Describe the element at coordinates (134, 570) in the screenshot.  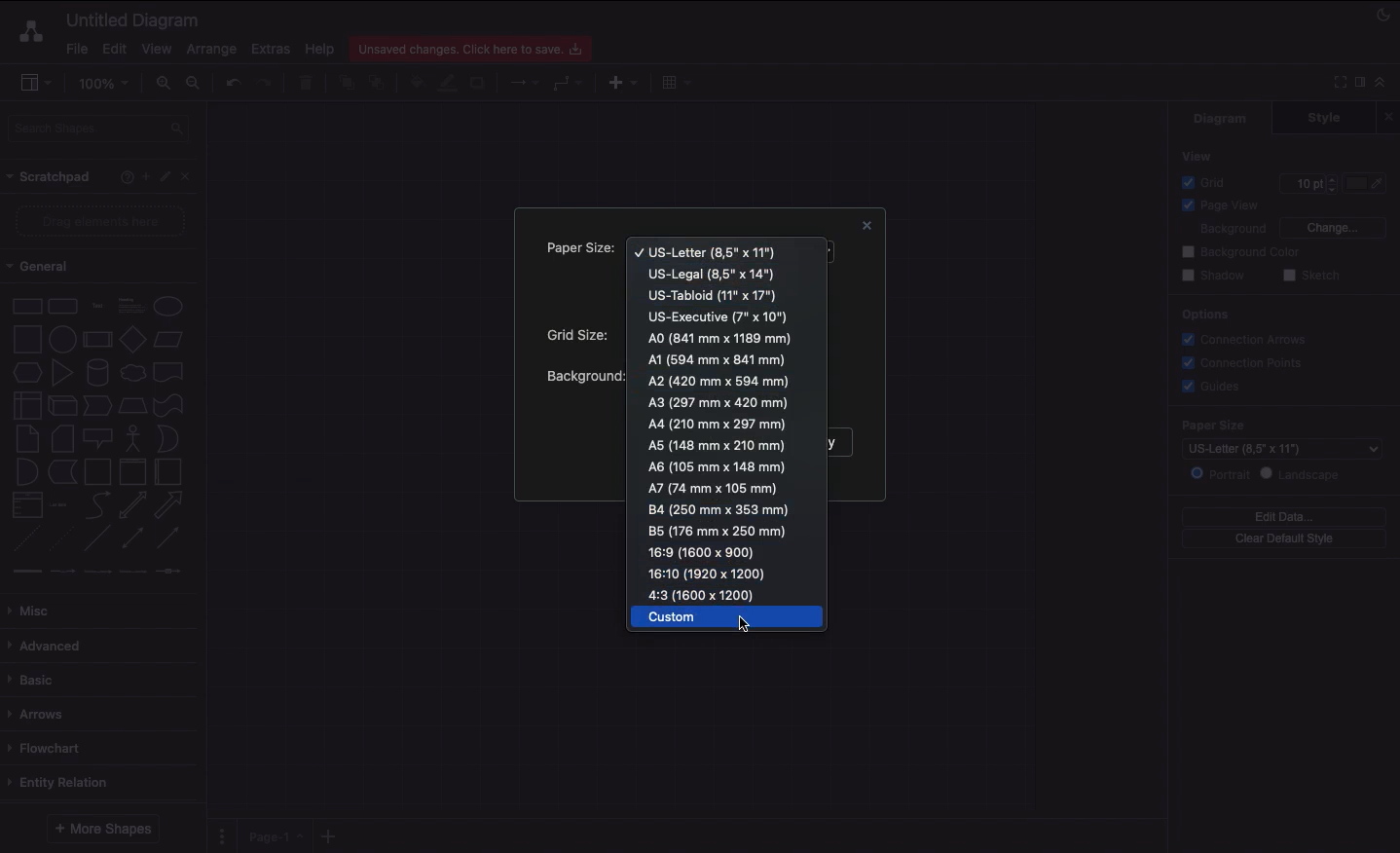
I see `connector 4` at that location.